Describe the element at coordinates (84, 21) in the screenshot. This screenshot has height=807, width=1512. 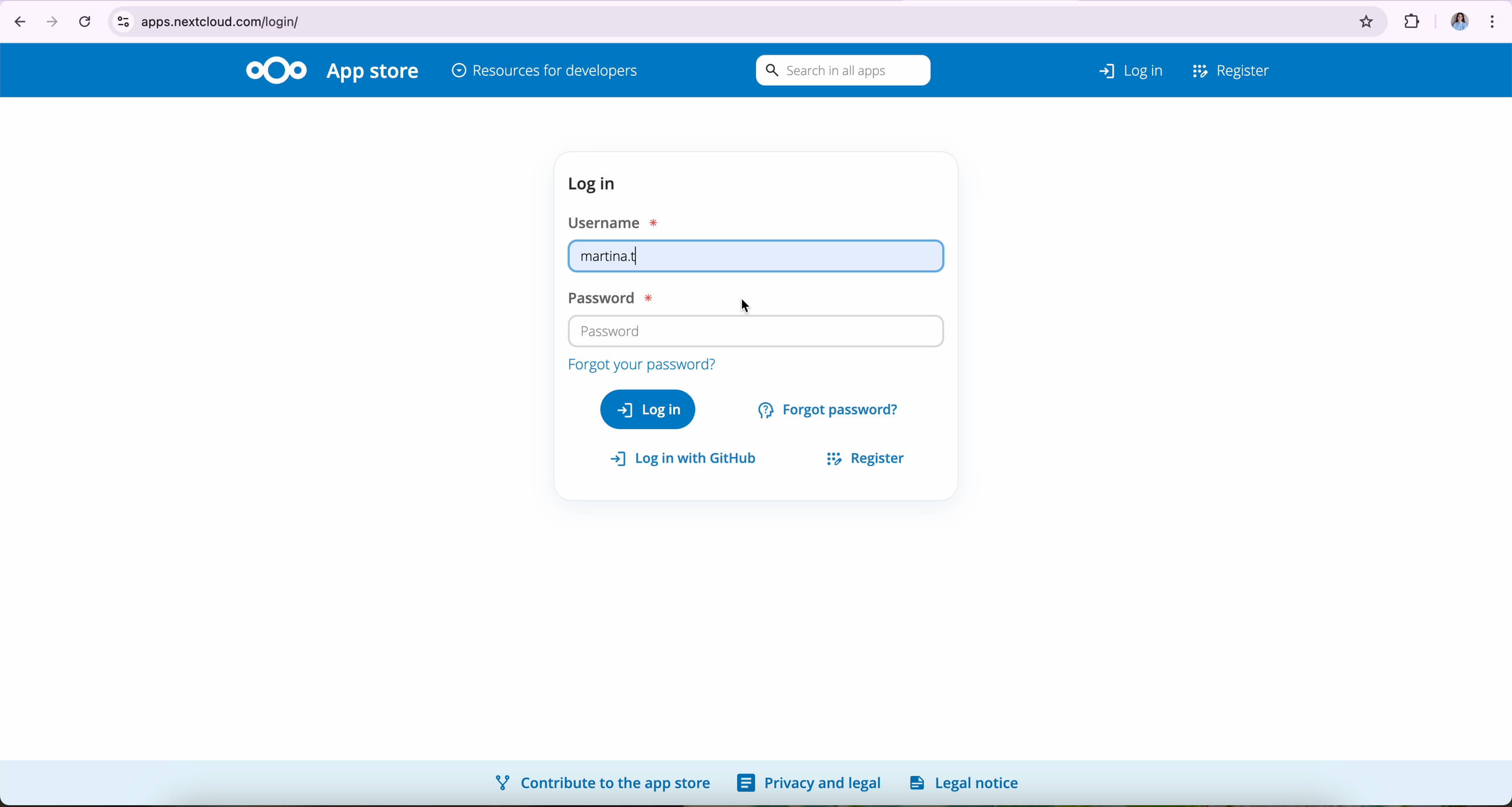
I see `cancel` at that location.